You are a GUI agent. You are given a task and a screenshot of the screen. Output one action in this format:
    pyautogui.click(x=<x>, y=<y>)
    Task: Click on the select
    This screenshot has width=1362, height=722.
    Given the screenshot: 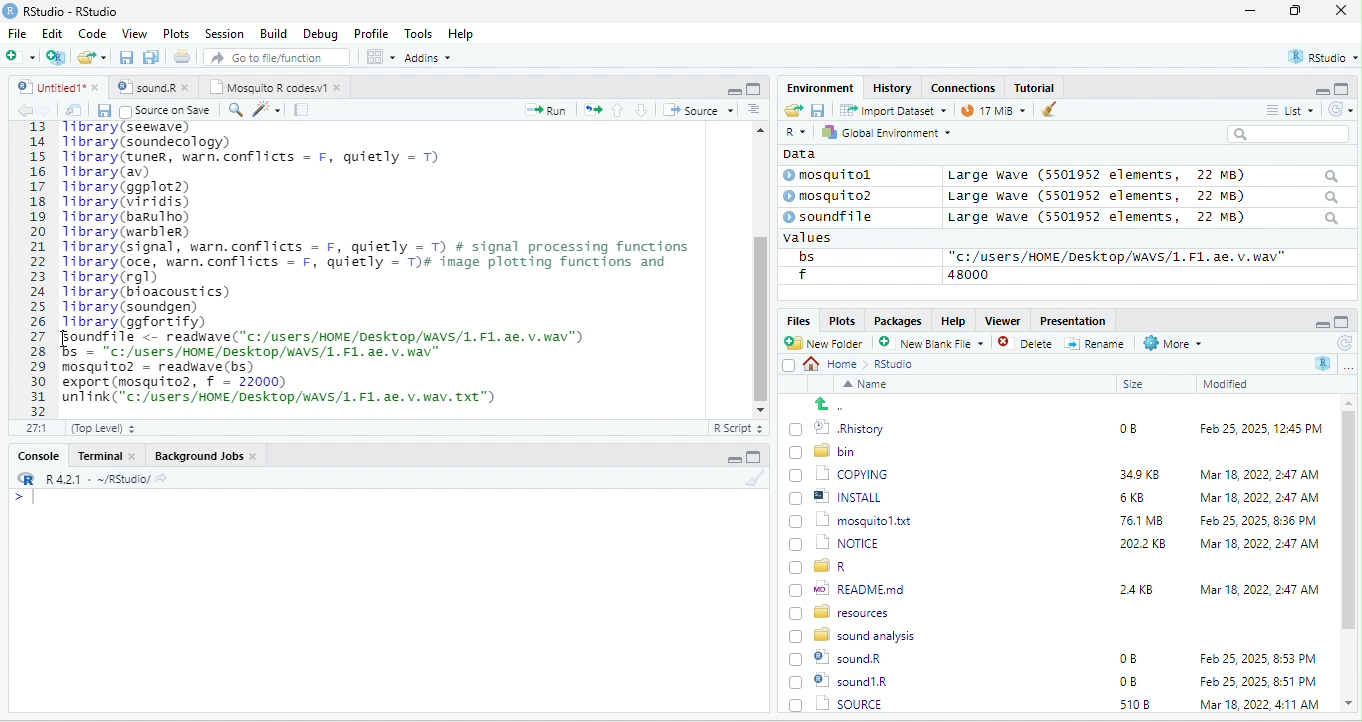 What is the action you would take?
    pyautogui.click(x=791, y=369)
    